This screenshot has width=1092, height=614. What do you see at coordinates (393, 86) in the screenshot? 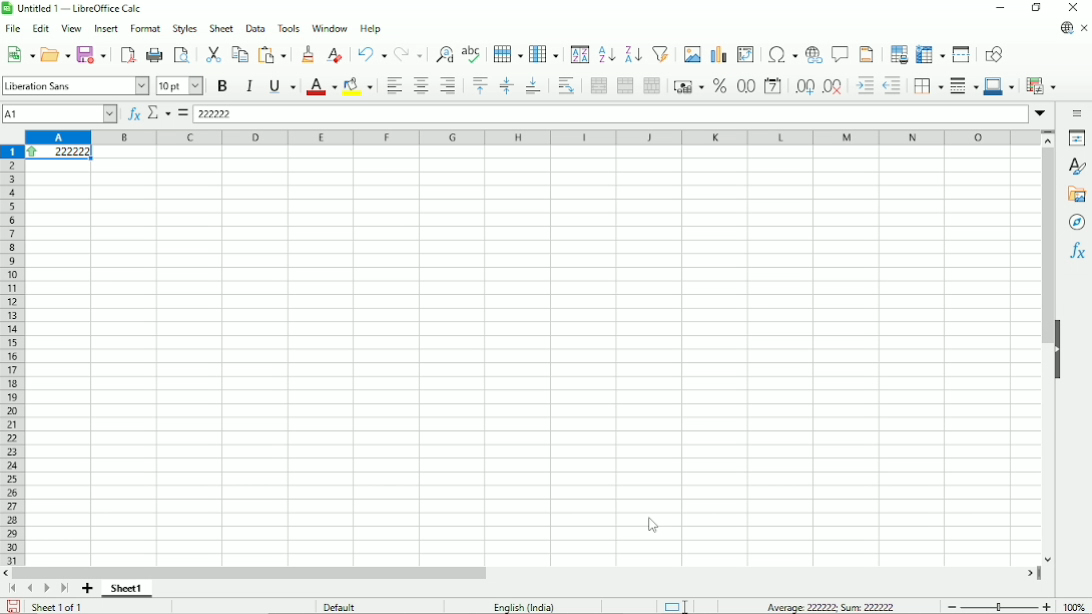
I see `Align left` at bounding box center [393, 86].